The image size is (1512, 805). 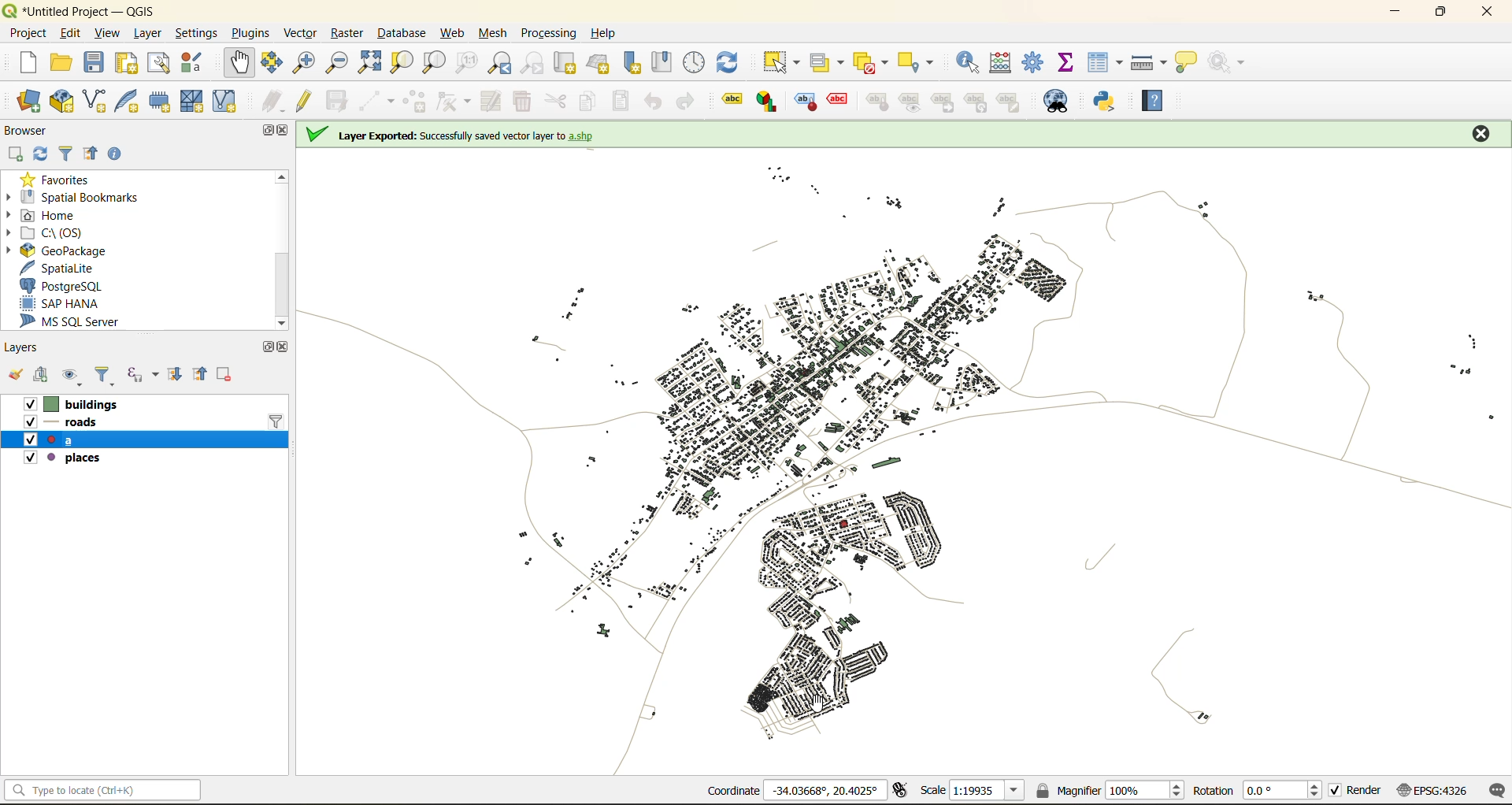 What do you see at coordinates (495, 35) in the screenshot?
I see `mesh` at bounding box center [495, 35].